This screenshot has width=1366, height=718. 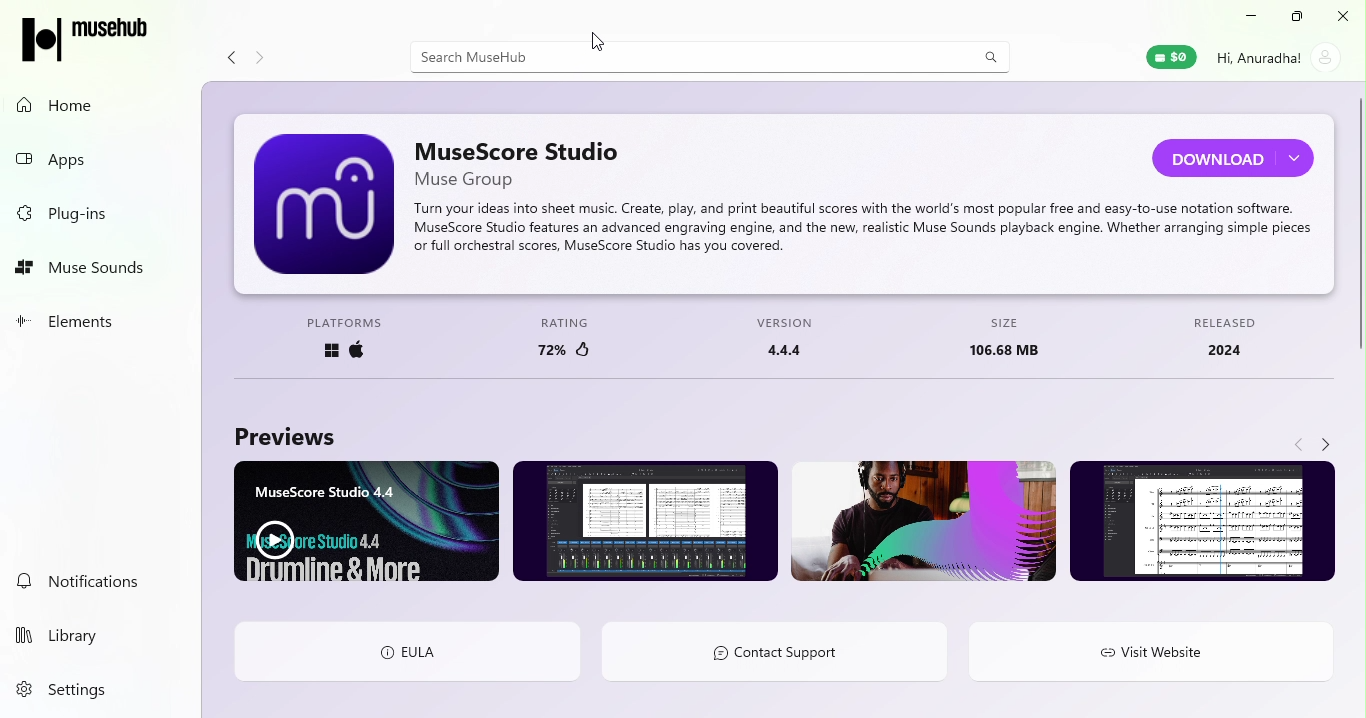 What do you see at coordinates (371, 520) in the screenshot?
I see `Video` at bounding box center [371, 520].